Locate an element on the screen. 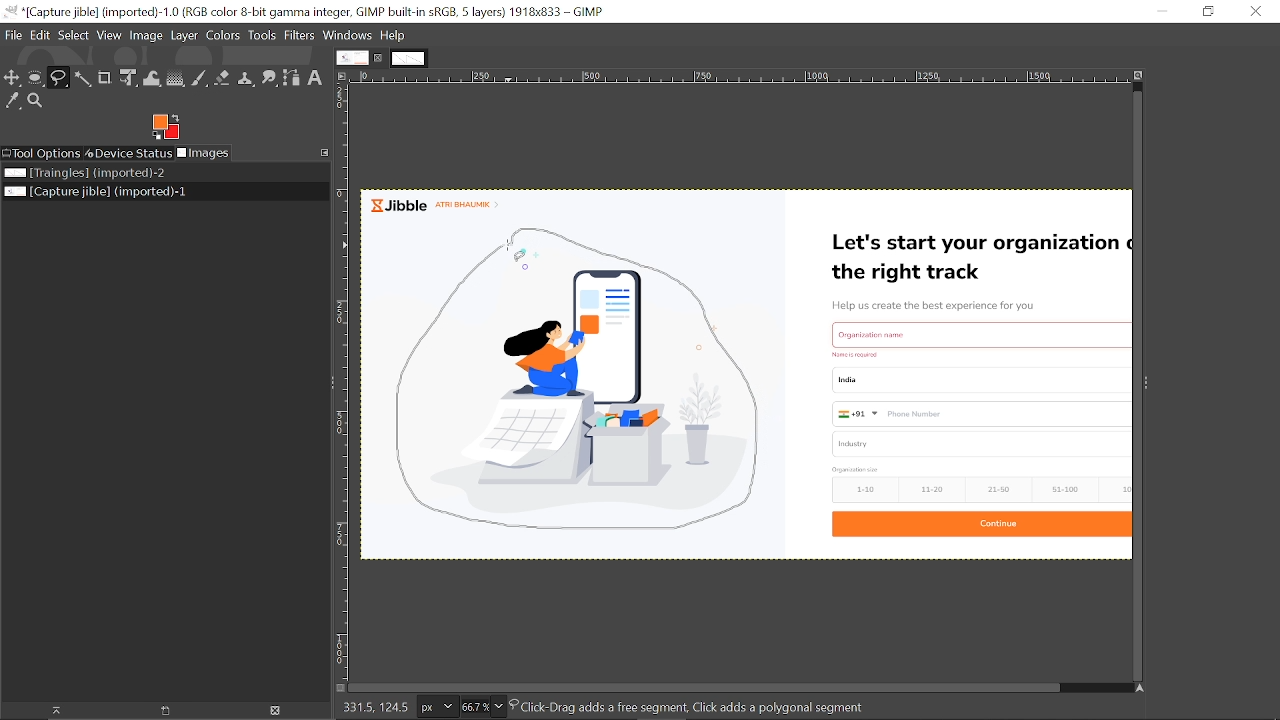 Image resolution: width=1280 pixels, height=720 pixels. Current image file is located at coordinates (98, 192).